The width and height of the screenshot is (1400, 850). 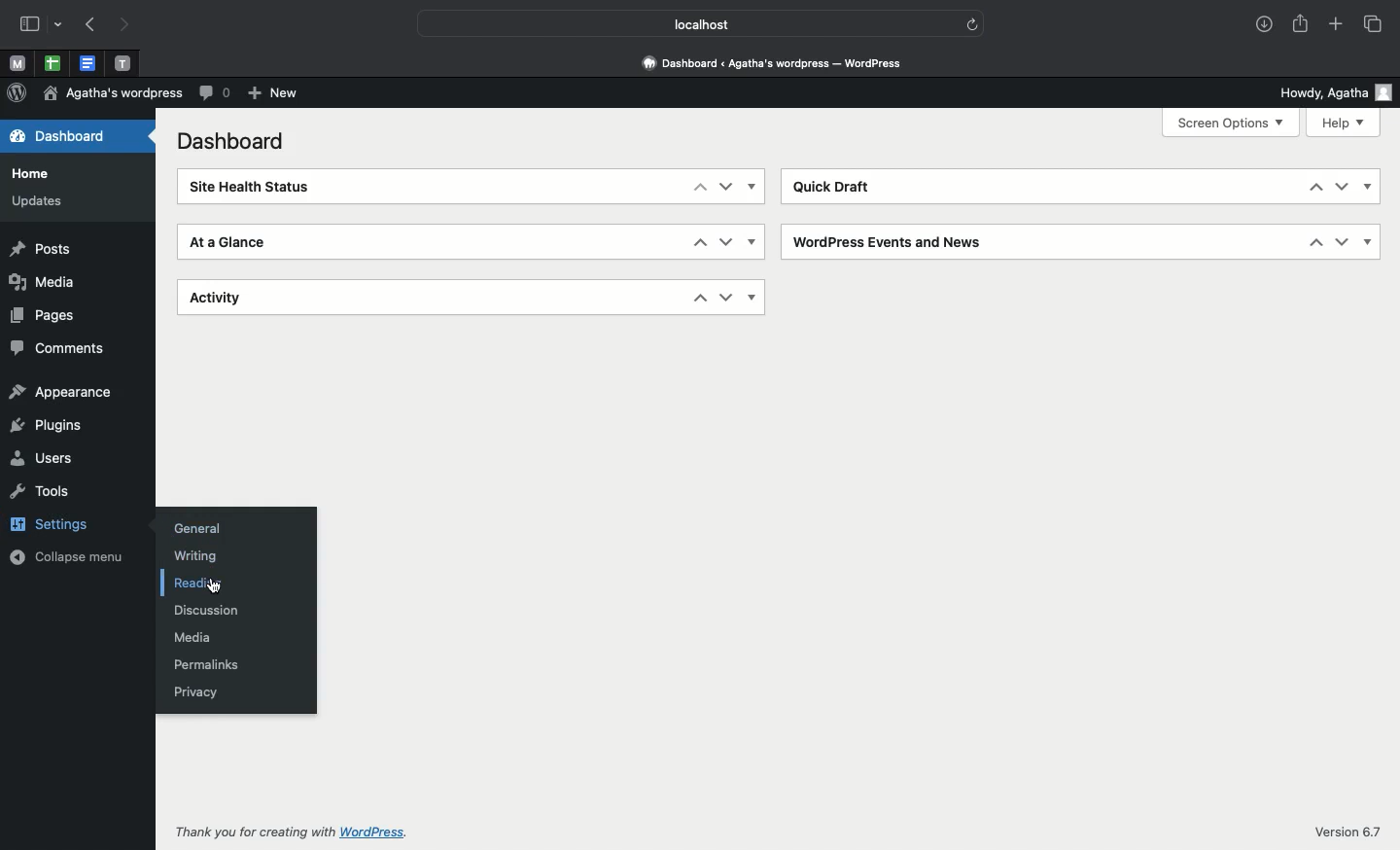 I want to click on At a glance, so click(x=228, y=243).